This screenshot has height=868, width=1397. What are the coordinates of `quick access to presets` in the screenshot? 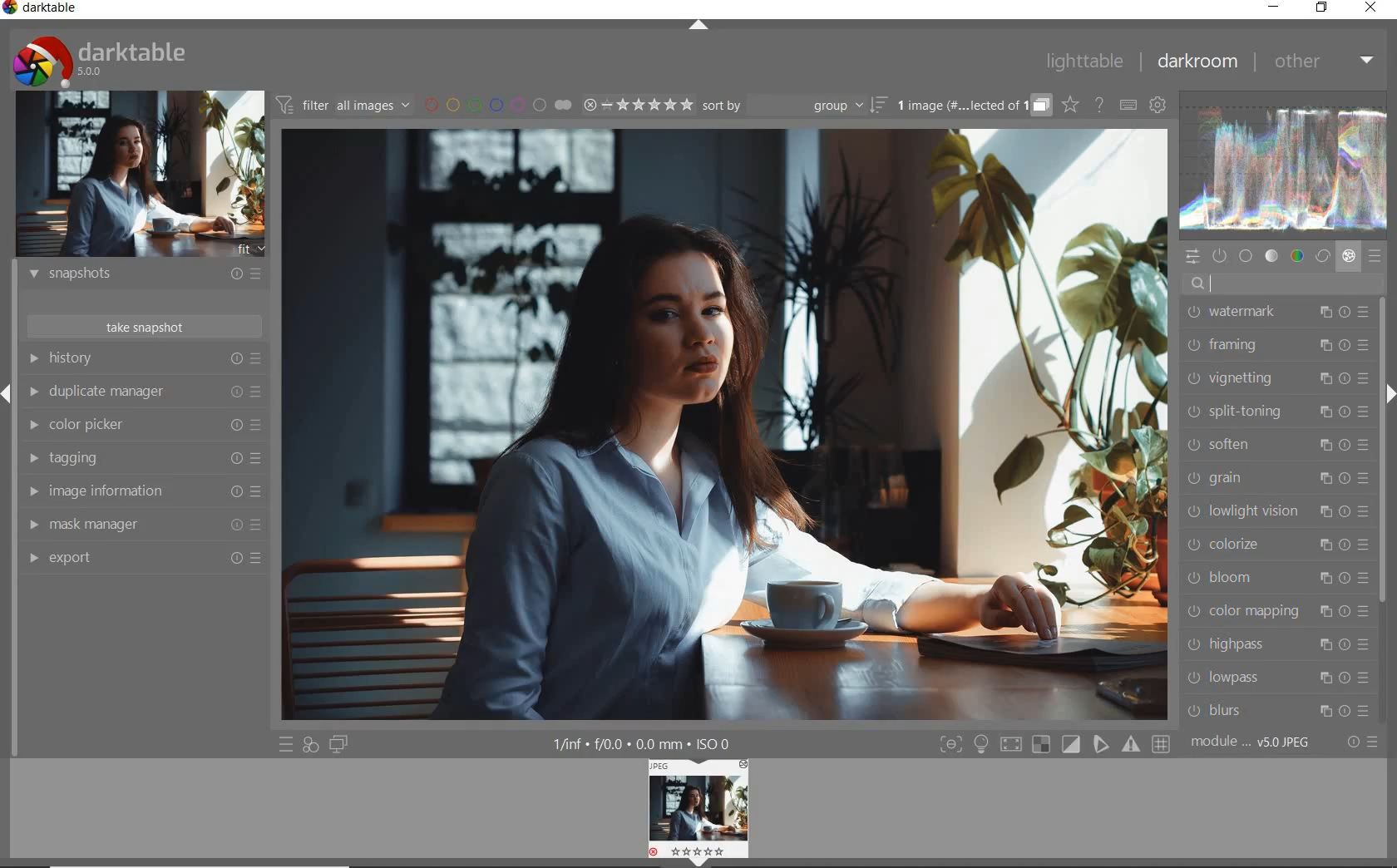 It's located at (286, 744).